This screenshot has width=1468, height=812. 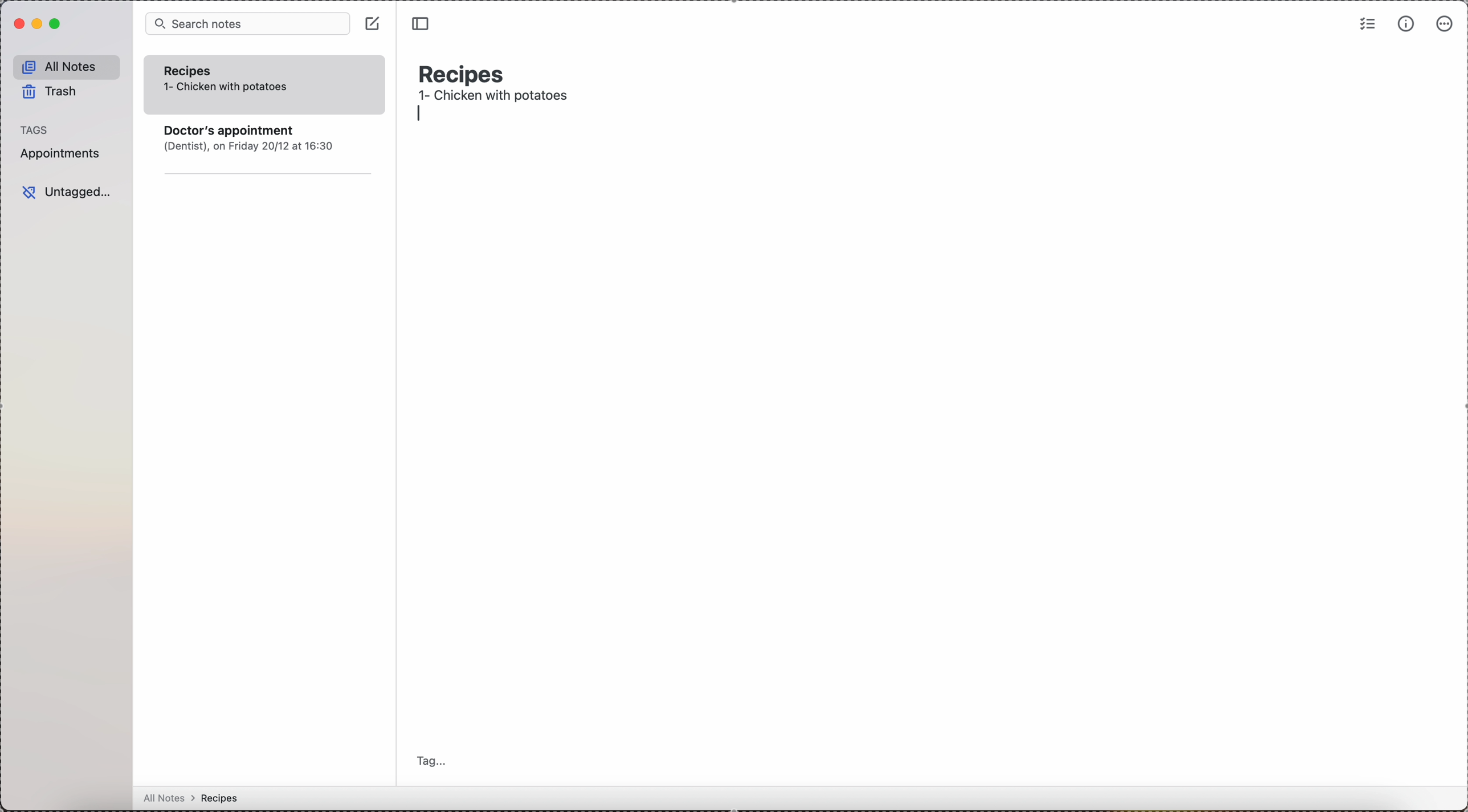 I want to click on recipes, so click(x=465, y=73).